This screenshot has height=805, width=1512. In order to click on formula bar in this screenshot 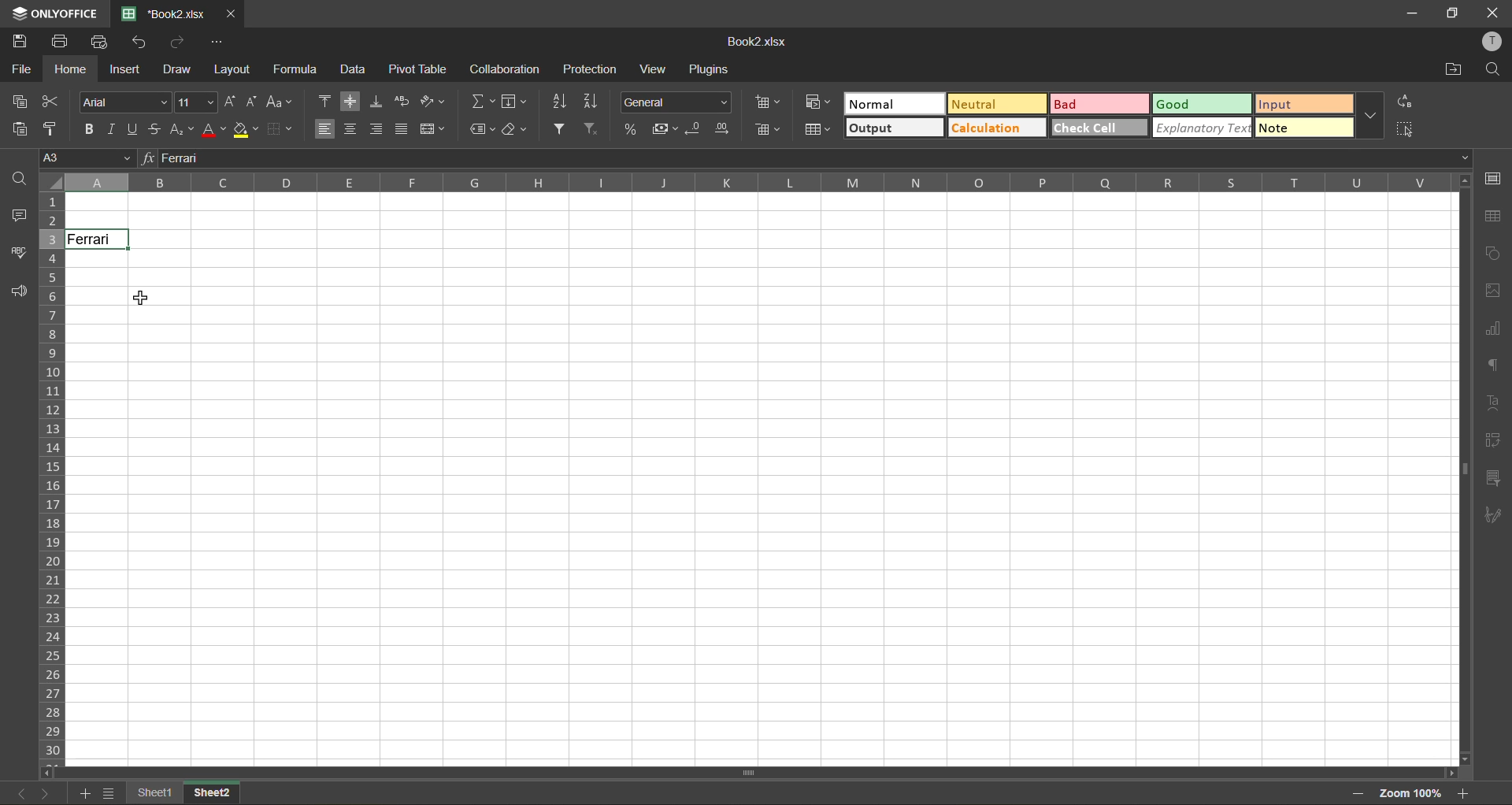, I will do `click(806, 158)`.